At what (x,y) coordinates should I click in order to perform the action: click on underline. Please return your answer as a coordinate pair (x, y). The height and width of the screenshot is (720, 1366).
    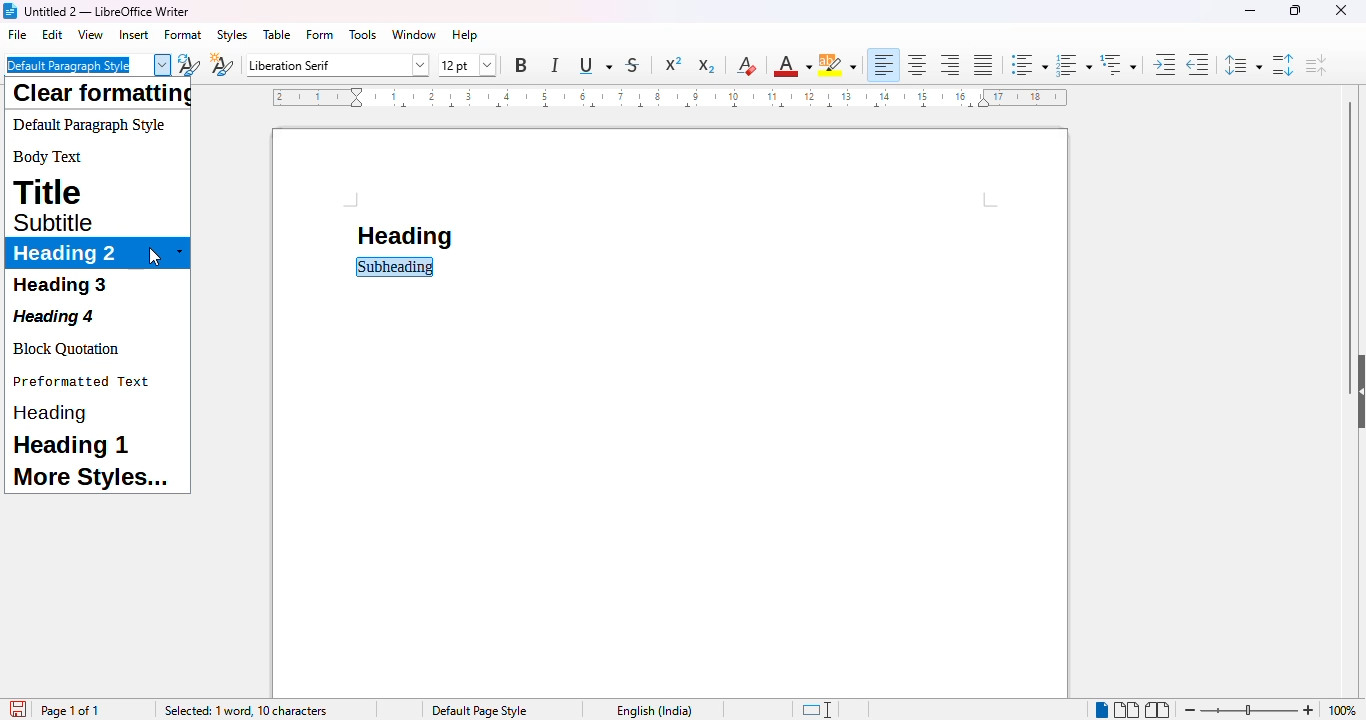
    Looking at the image, I should click on (593, 66).